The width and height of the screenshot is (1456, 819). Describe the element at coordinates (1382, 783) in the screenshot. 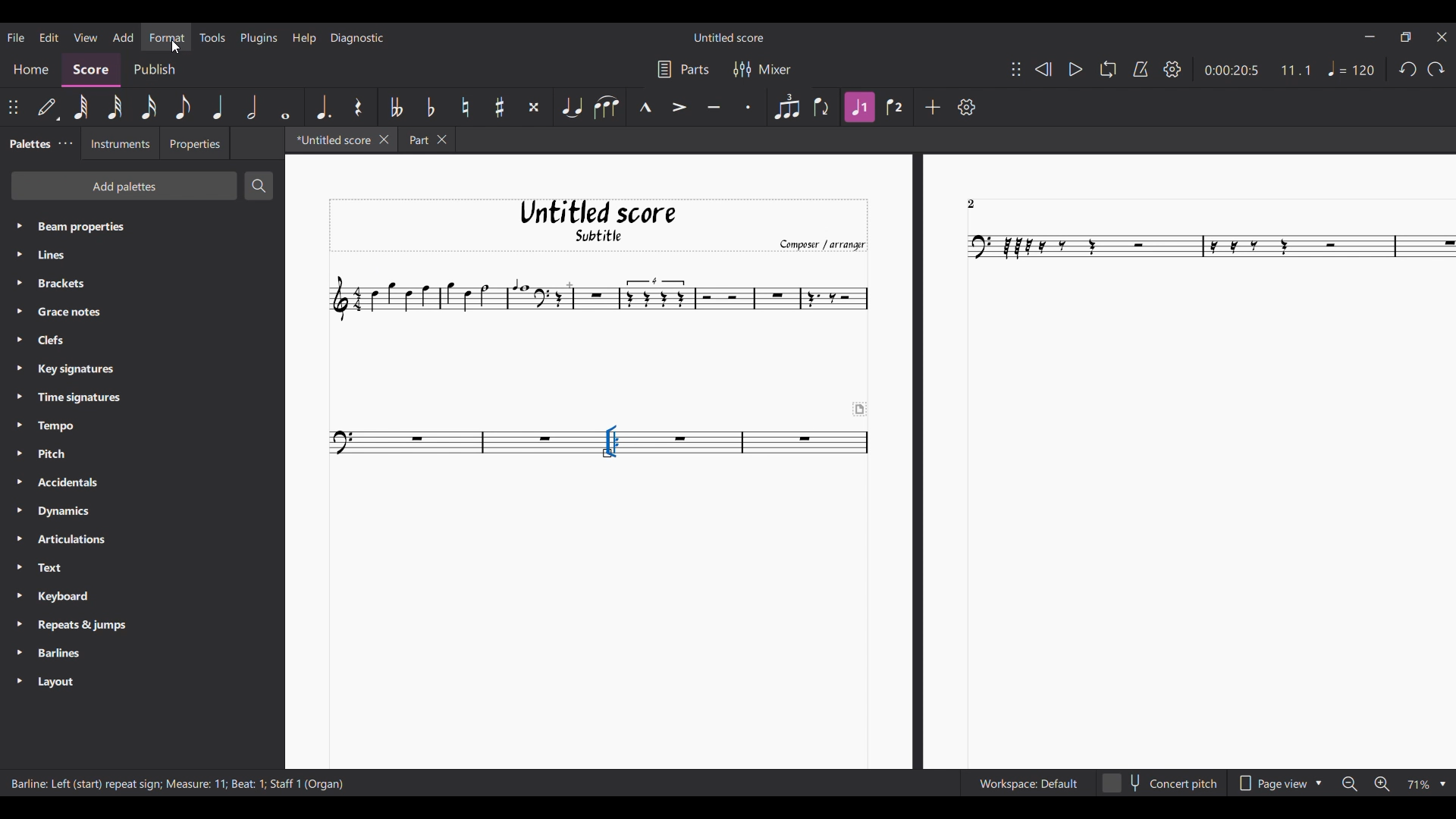

I see `Zoom in` at that location.